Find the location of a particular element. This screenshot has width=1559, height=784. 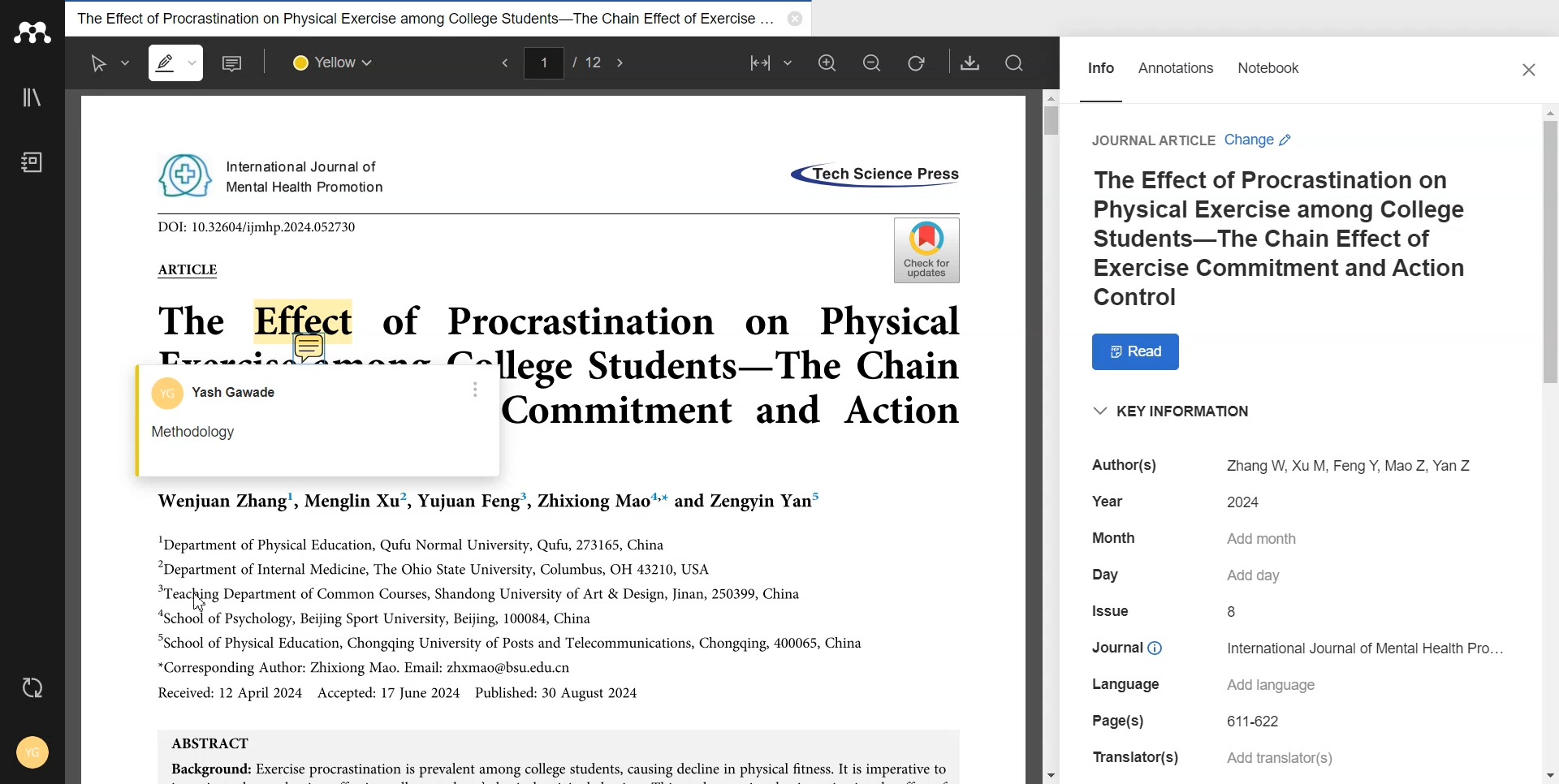

Journal © International Journal of Mental Health Pro... is located at coordinates (1299, 646).